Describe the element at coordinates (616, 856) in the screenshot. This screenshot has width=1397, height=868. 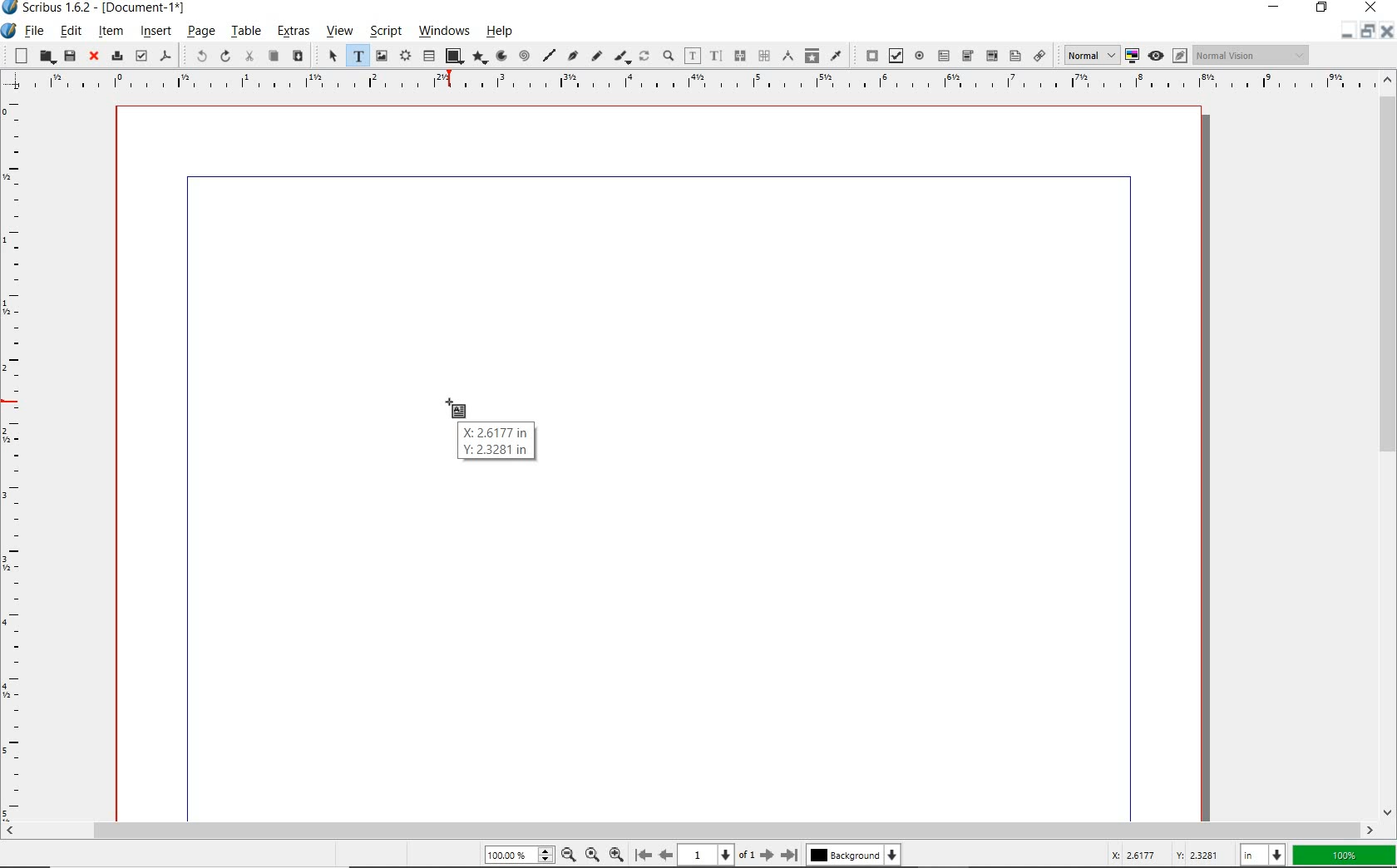
I see `Zoom In` at that location.